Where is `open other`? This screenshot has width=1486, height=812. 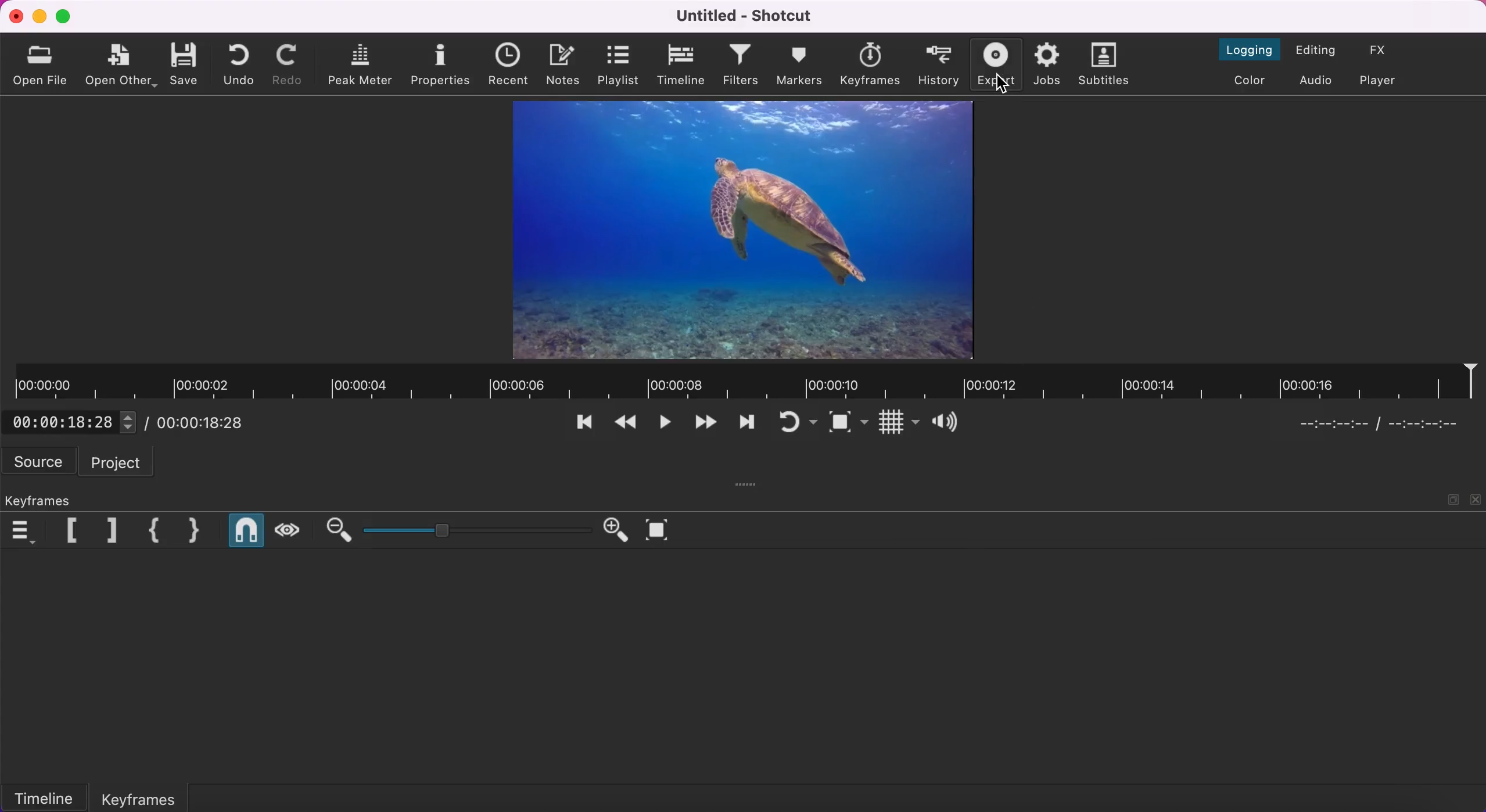
open other is located at coordinates (121, 65).